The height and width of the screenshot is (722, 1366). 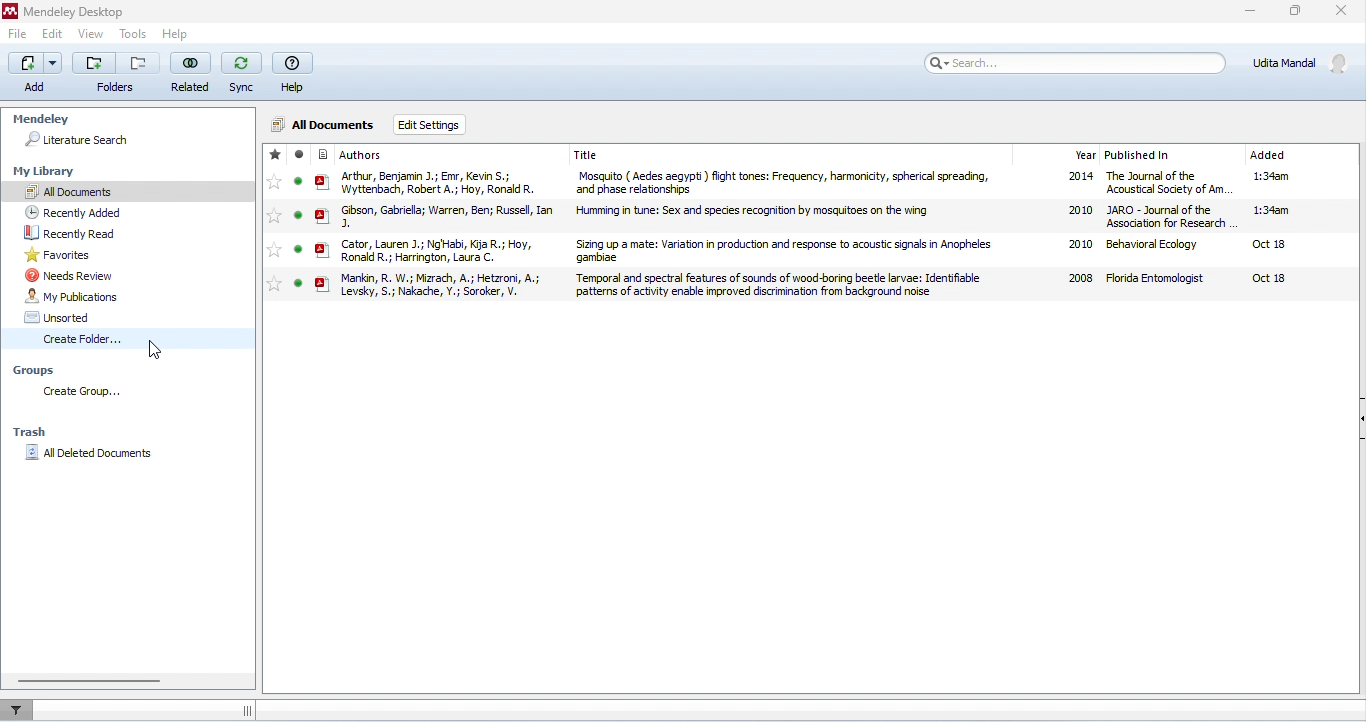 I want to click on favorite, so click(x=277, y=154).